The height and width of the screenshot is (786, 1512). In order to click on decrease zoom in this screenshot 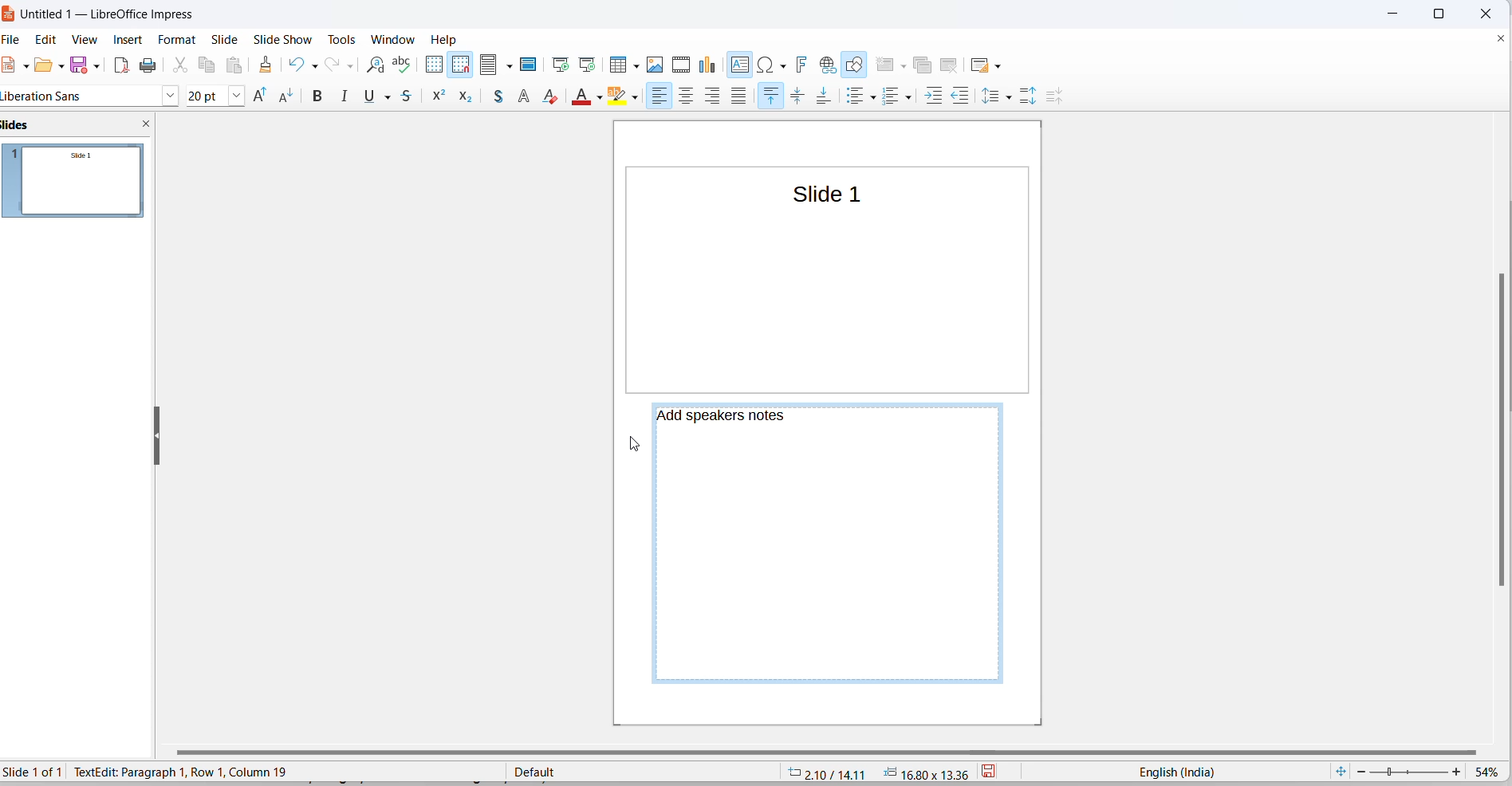, I will do `click(1360, 771)`.